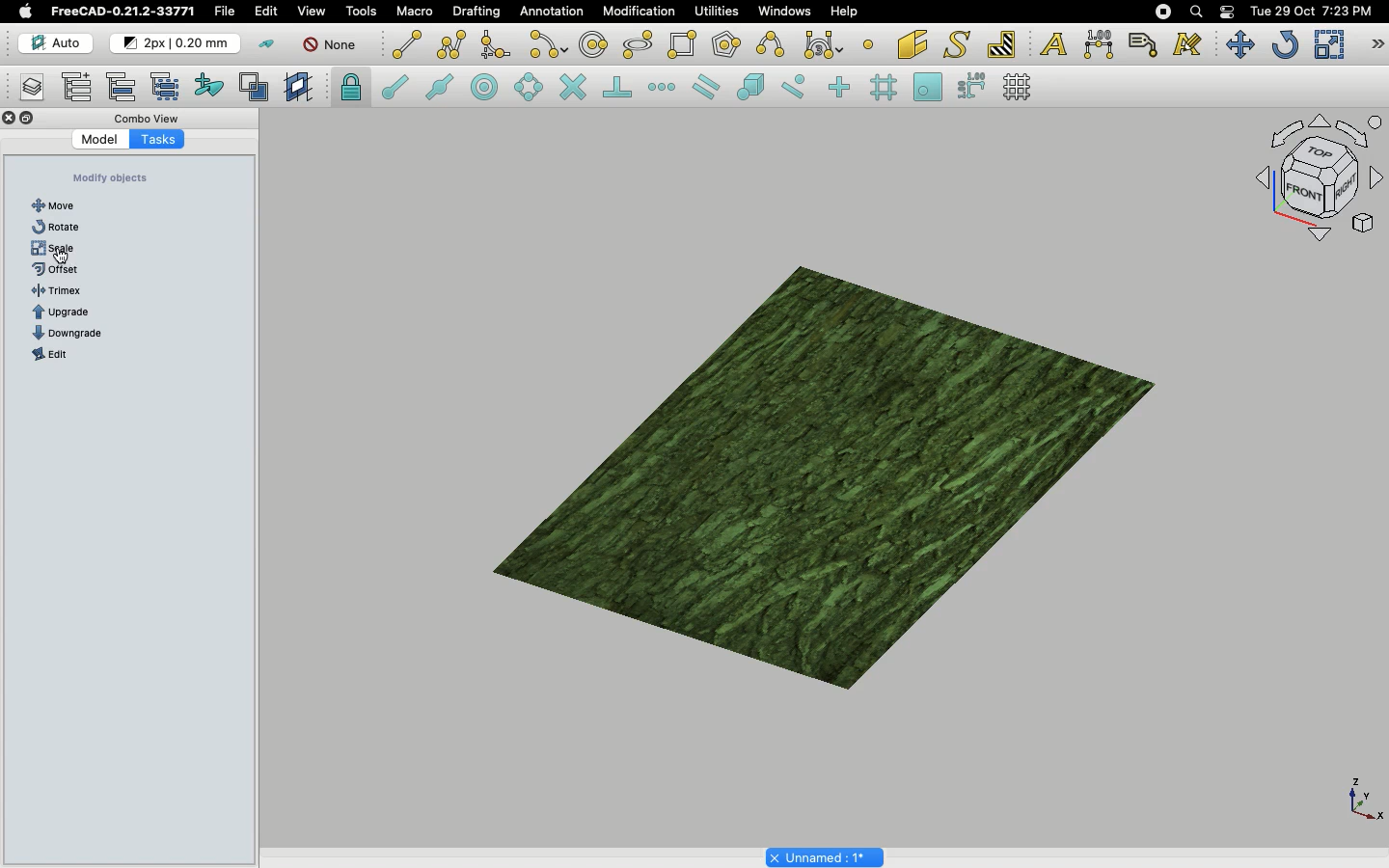 Image resolution: width=1389 pixels, height=868 pixels. Describe the element at coordinates (351, 87) in the screenshot. I see `Snap lock` at that location.